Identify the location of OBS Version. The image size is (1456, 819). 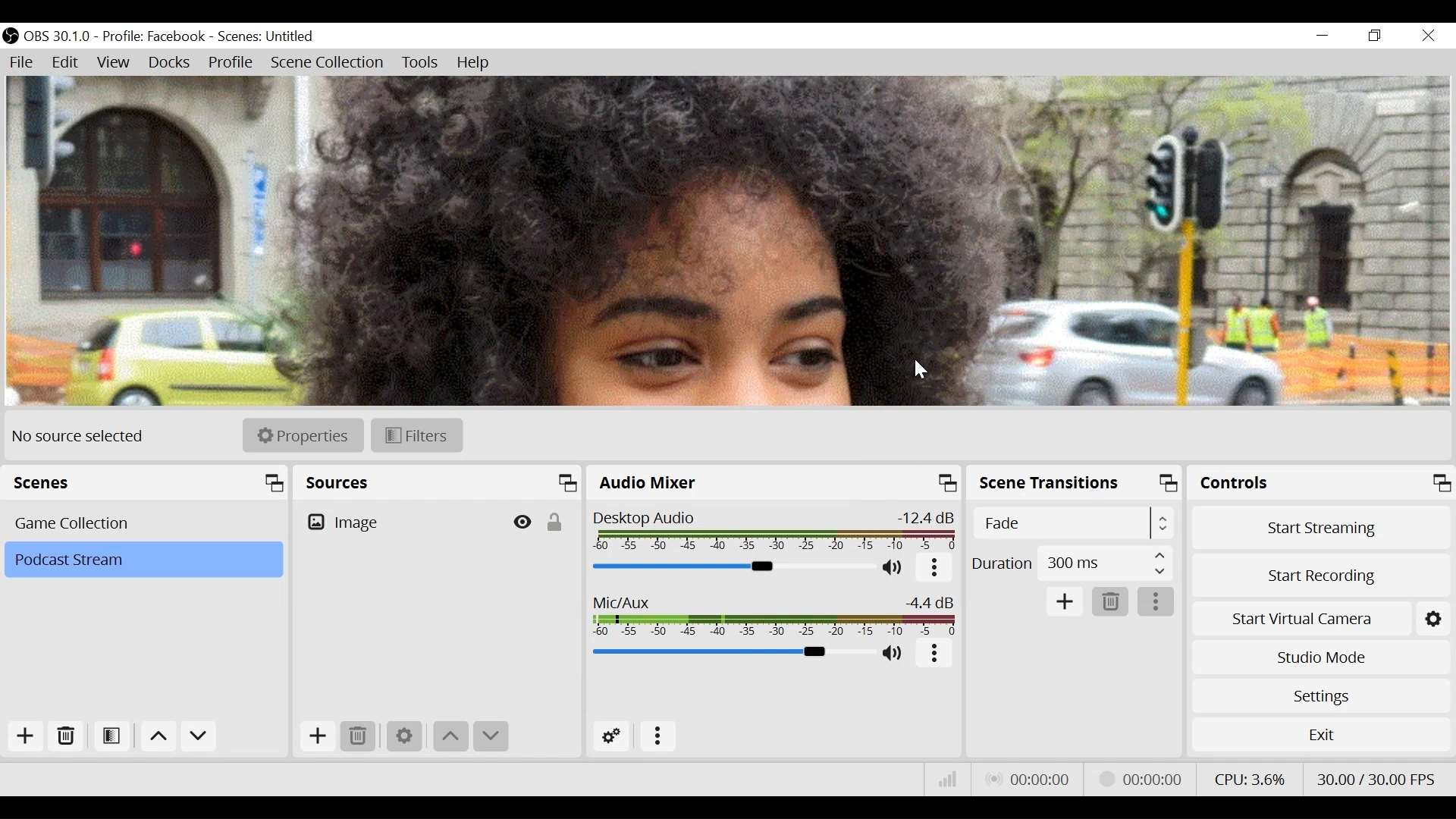
(58, 37).